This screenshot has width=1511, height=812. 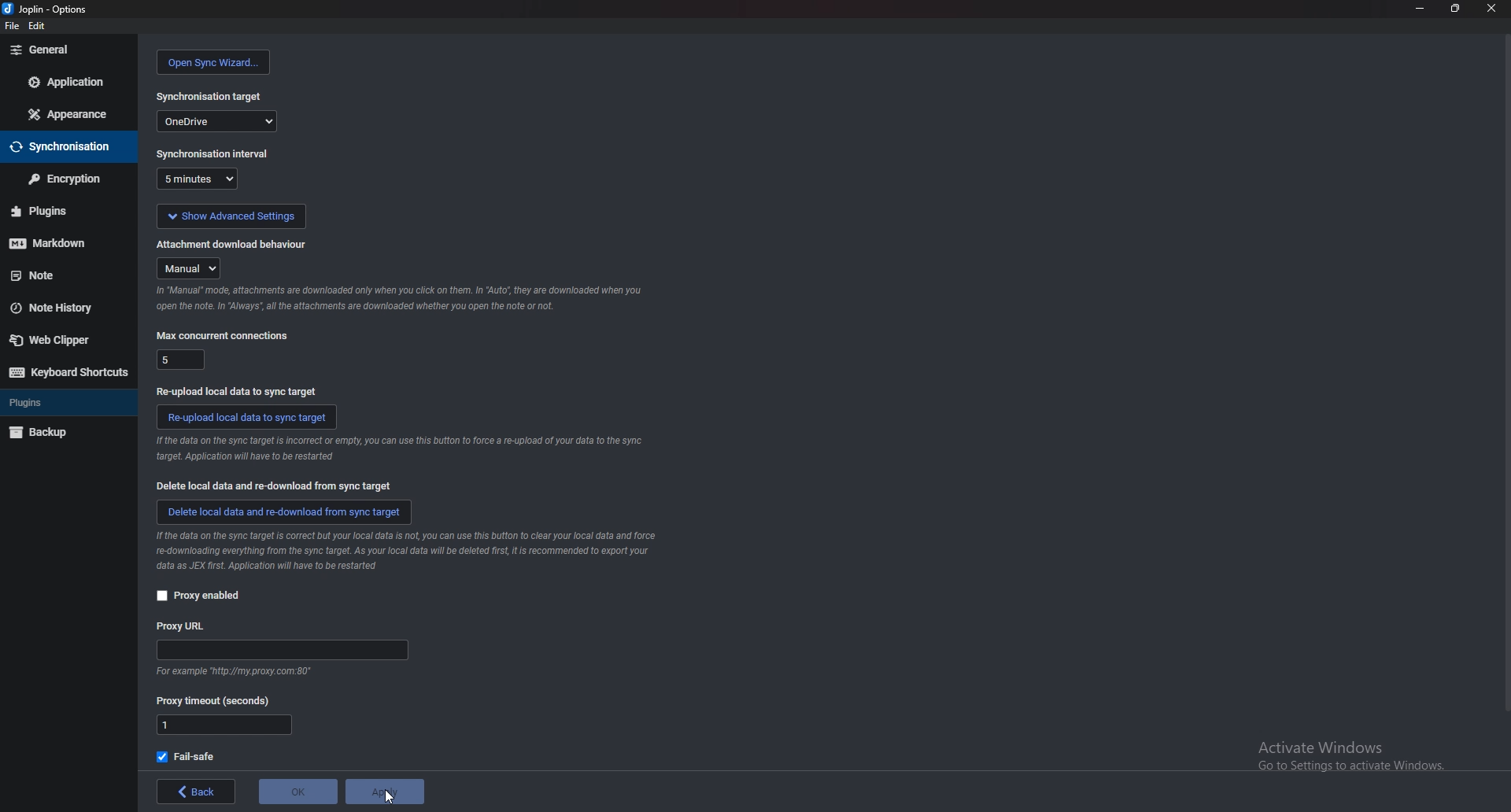 I want to click on keyboard shortcuts, so click(x=65, y=371).